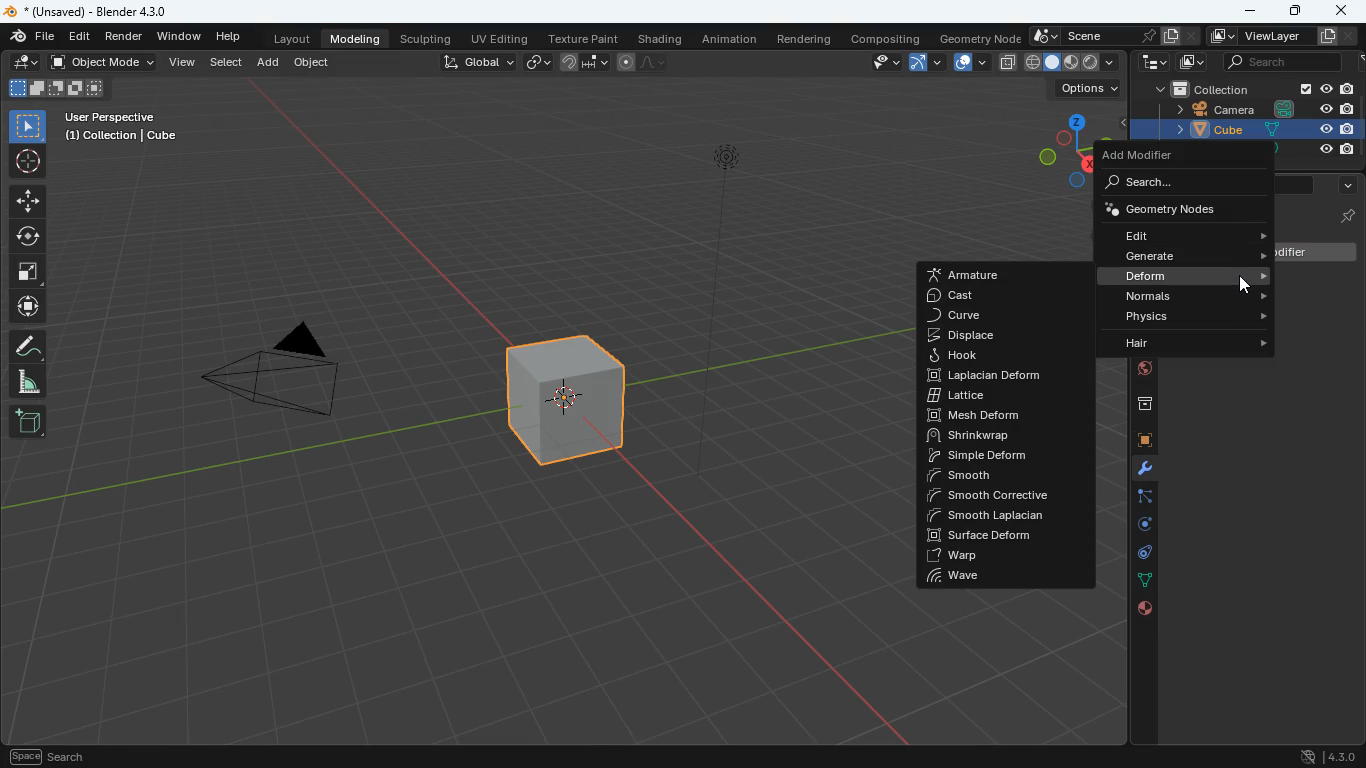 The width and height of the screenshot is (1366, 768). Describe the element at coordinates (983, 458) in the screenshot. I see `simple` at that location.